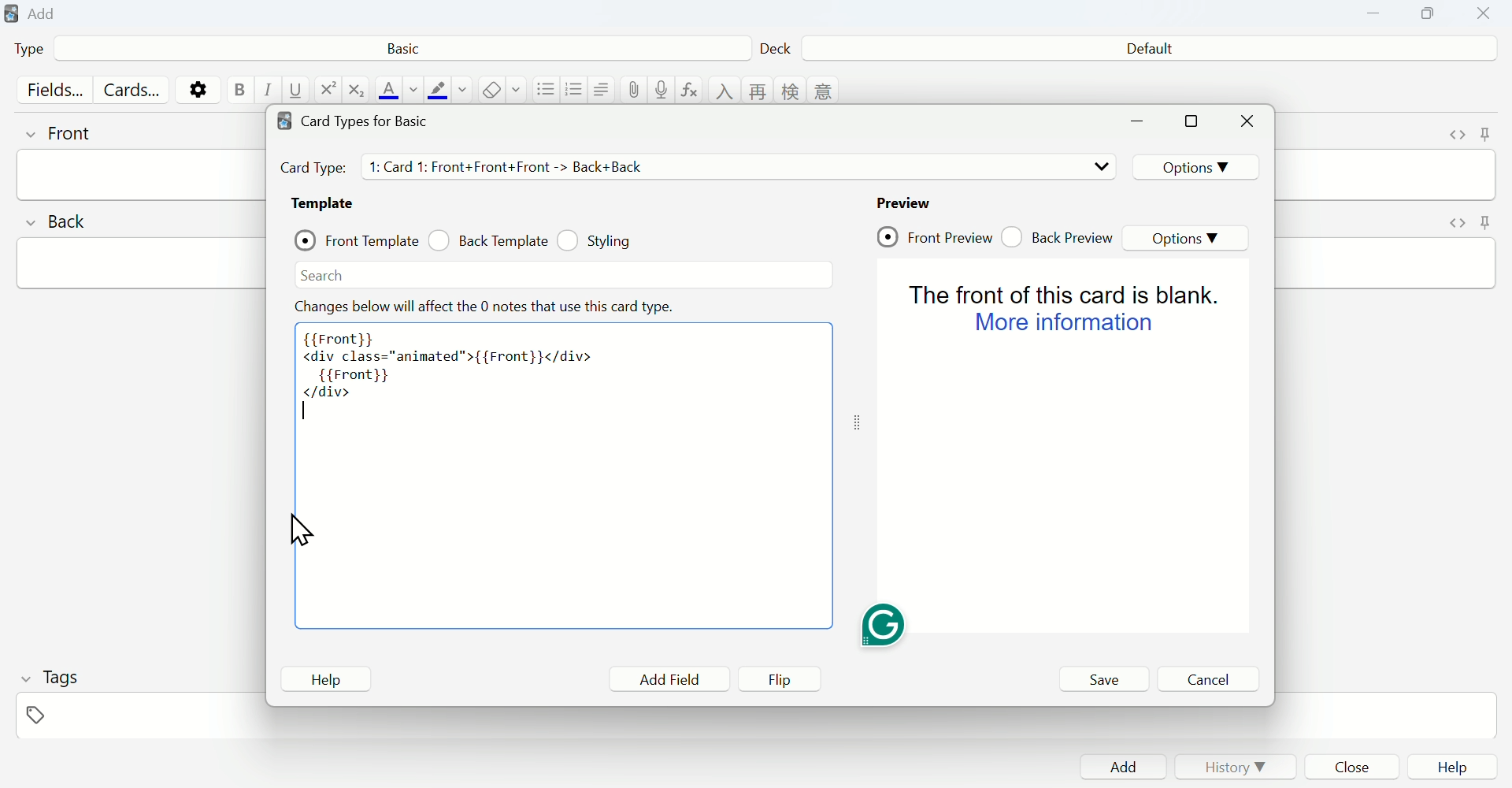 Image resolution: width=1512 pixels, height=788 pixels. What do you see at coordinates (564, 274) in the screenshot?
I see `Search bar` at bounding box center [564, 274].